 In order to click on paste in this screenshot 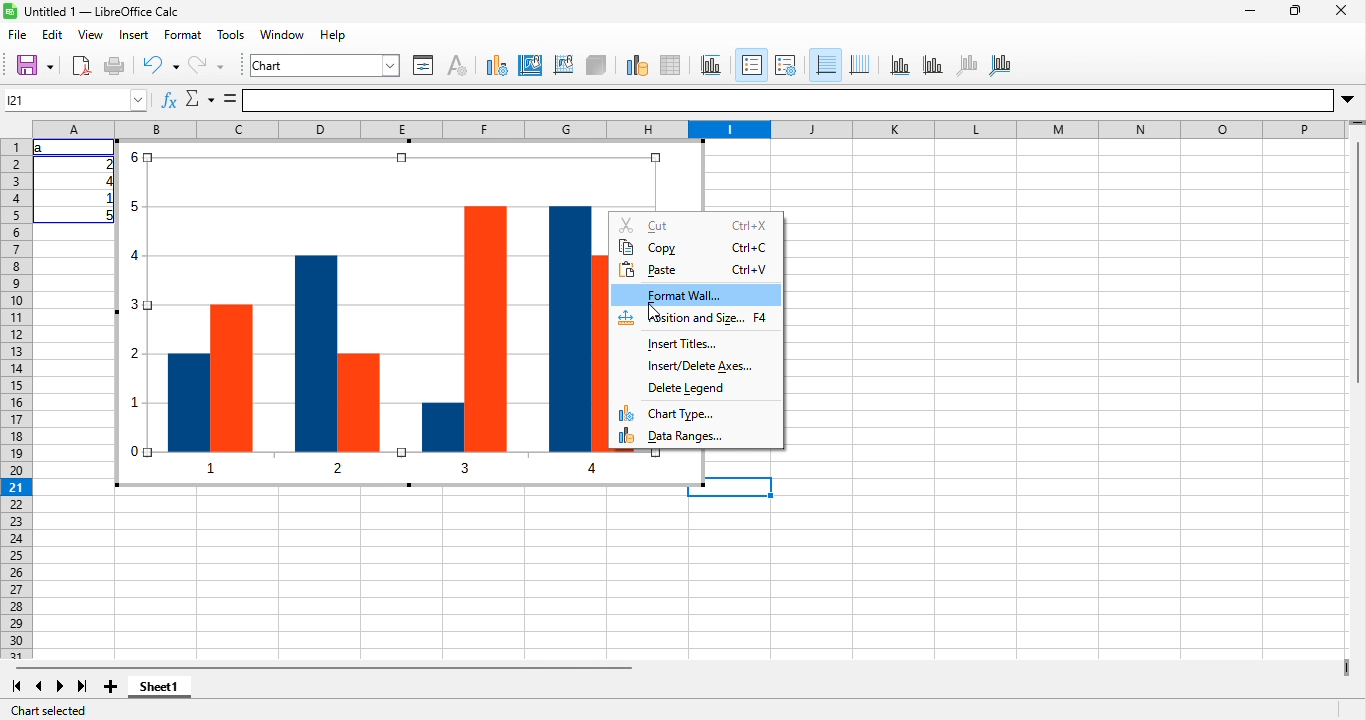, I will do `click(696, 269)`.